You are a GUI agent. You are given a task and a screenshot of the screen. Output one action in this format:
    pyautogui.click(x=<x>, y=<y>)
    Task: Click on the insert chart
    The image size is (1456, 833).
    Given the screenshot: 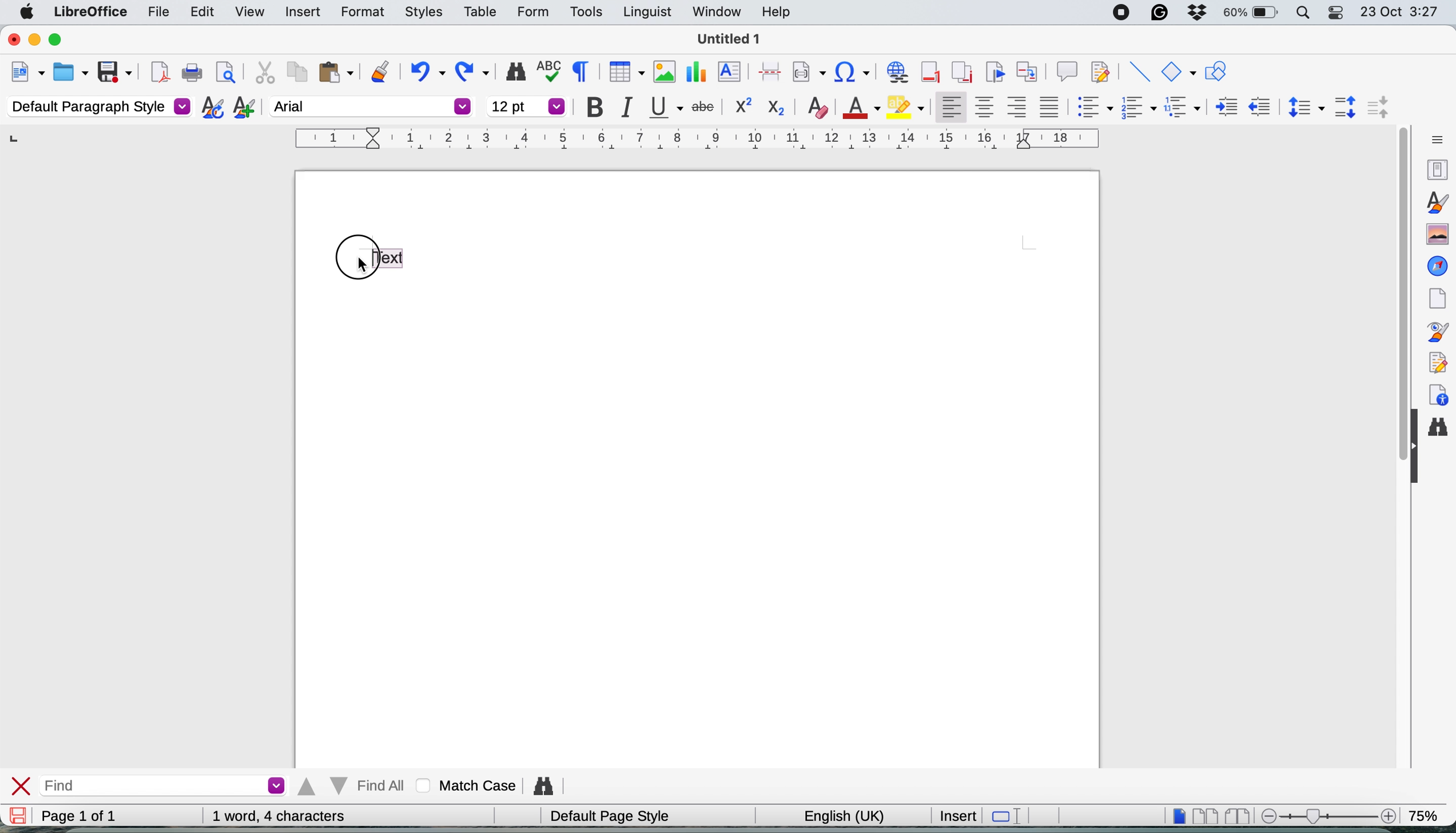 What is the action you would take?
    pyautogui.click(x=695, y=70)
    